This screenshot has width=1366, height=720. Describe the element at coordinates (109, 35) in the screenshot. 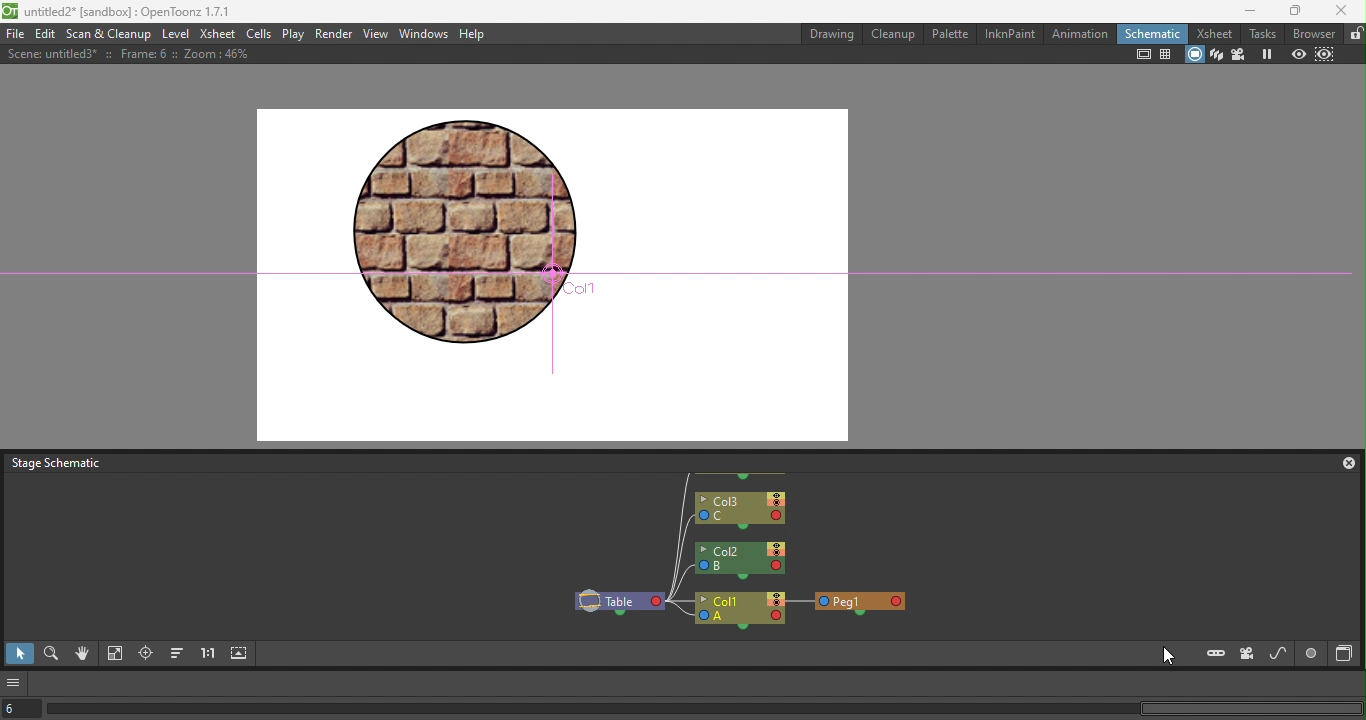

I see `Scan & Cleanup` at that location.